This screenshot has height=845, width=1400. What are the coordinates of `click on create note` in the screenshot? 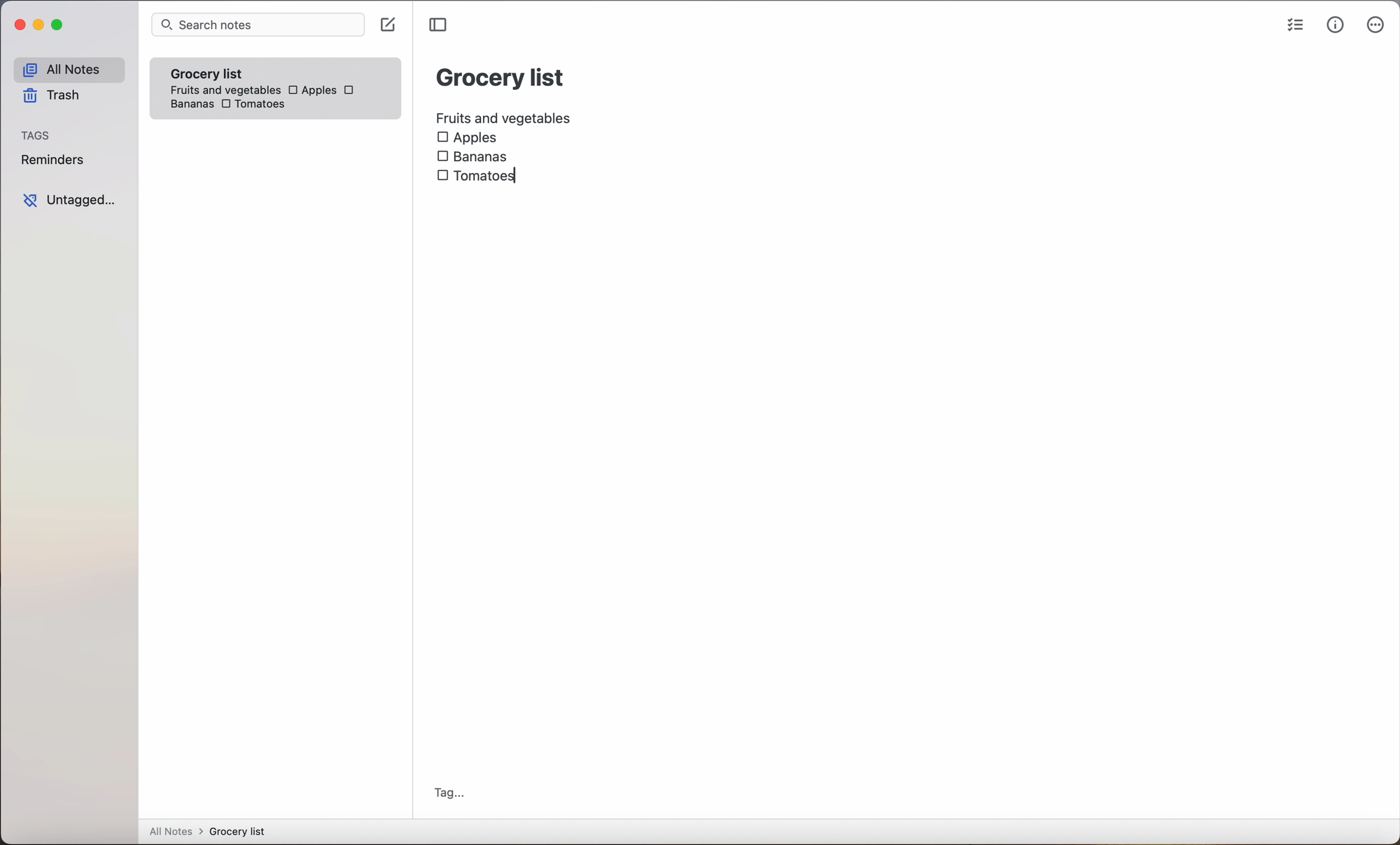 It's located at (390, 26).